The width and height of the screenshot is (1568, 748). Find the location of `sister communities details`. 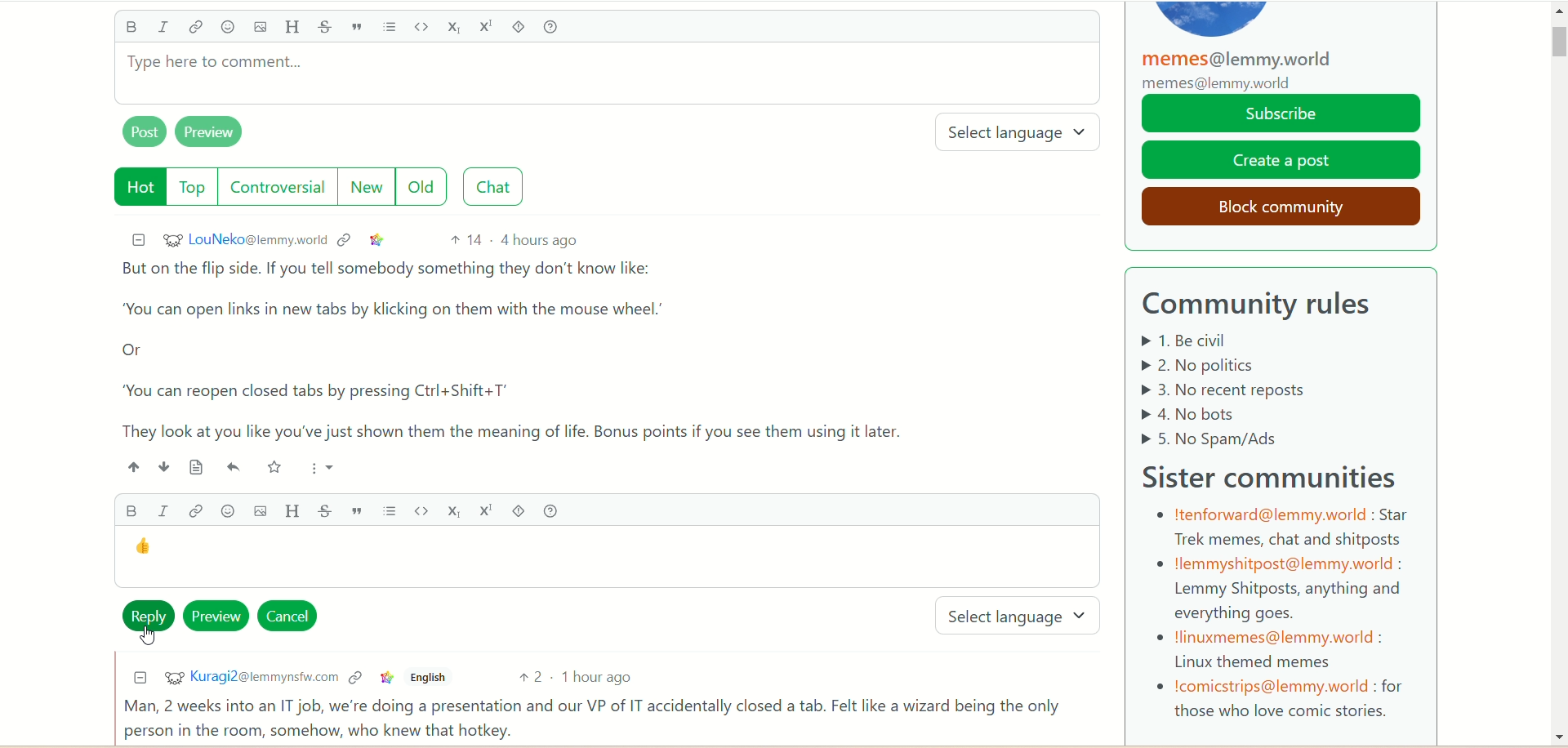

sister communities details is located at coordinates (1281, 612).